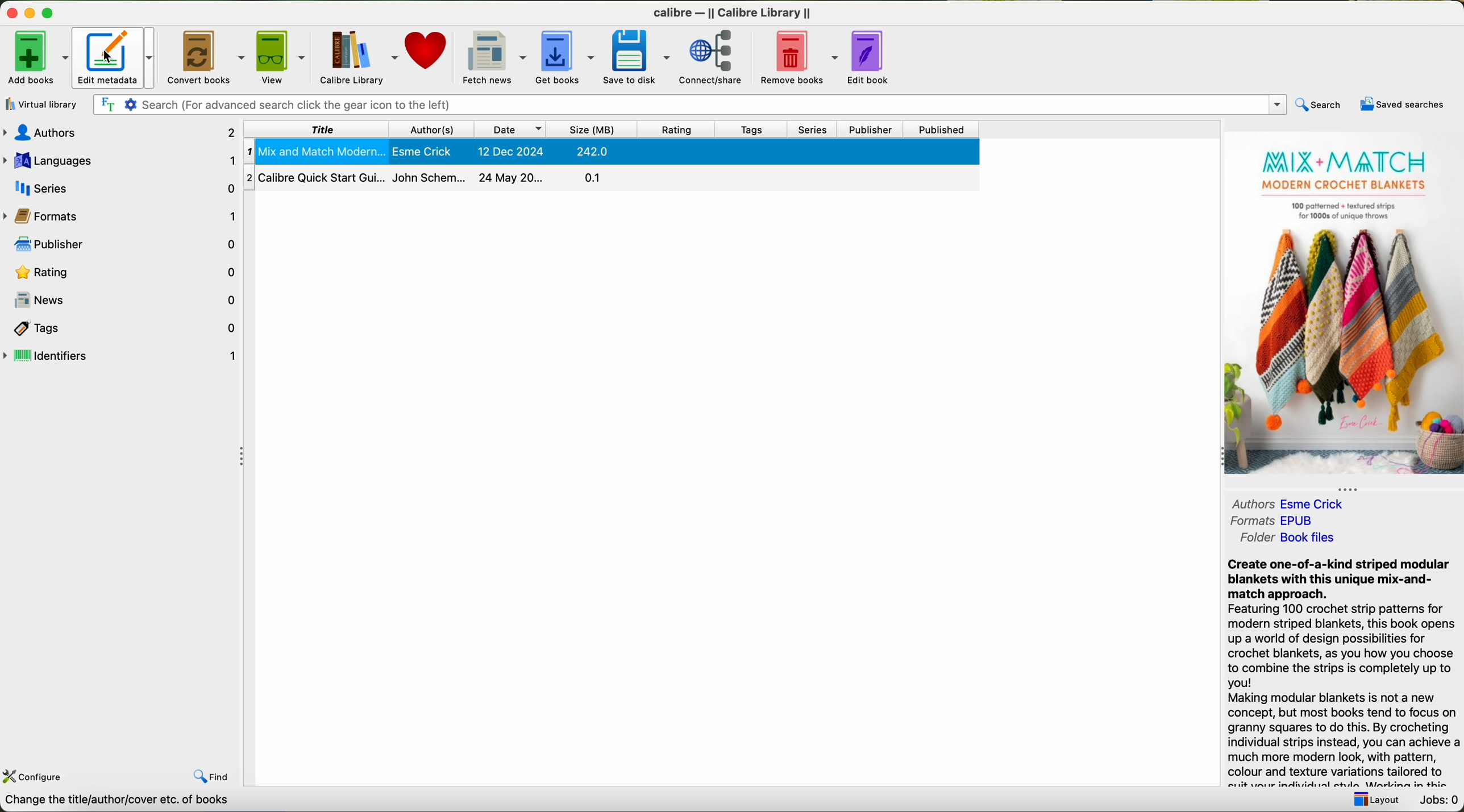 The width and height of the screenshot is (1464, 812). I want to click on summary, so click(1342, 672).